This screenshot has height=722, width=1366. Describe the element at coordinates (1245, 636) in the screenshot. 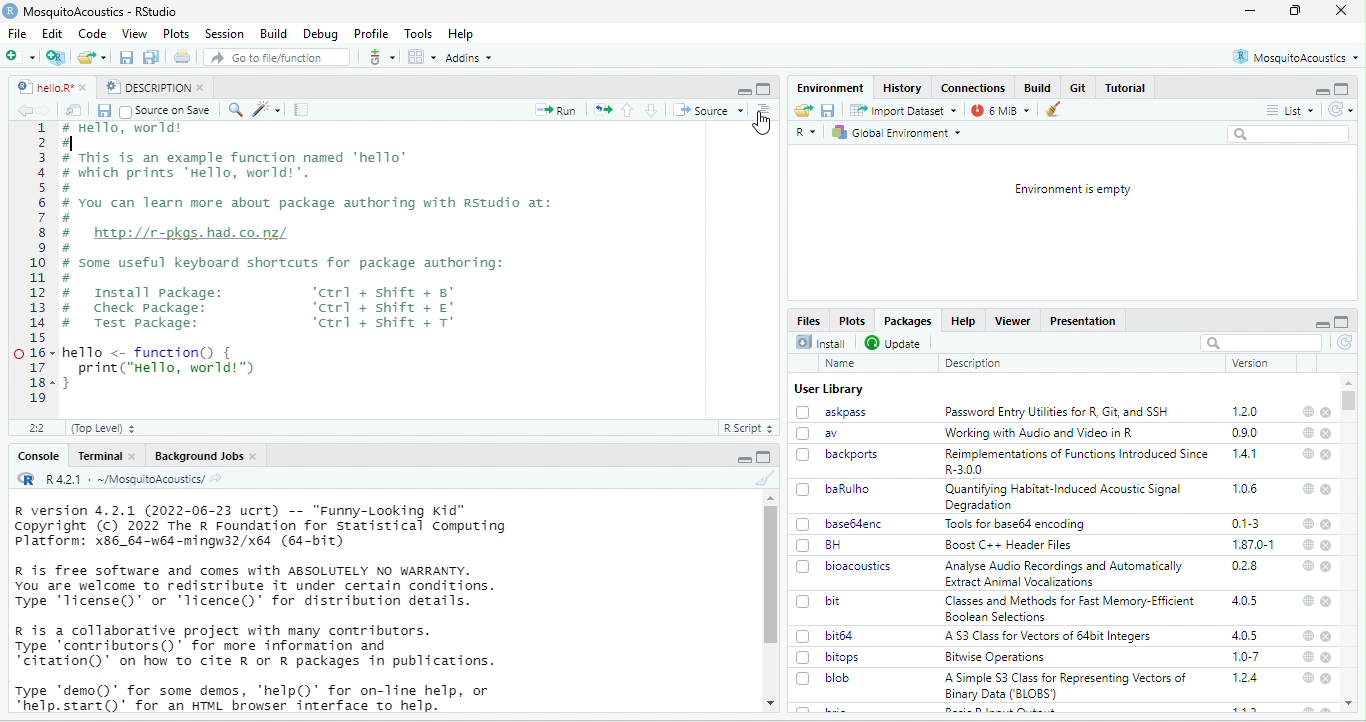

I see `4.0.5` at that location.